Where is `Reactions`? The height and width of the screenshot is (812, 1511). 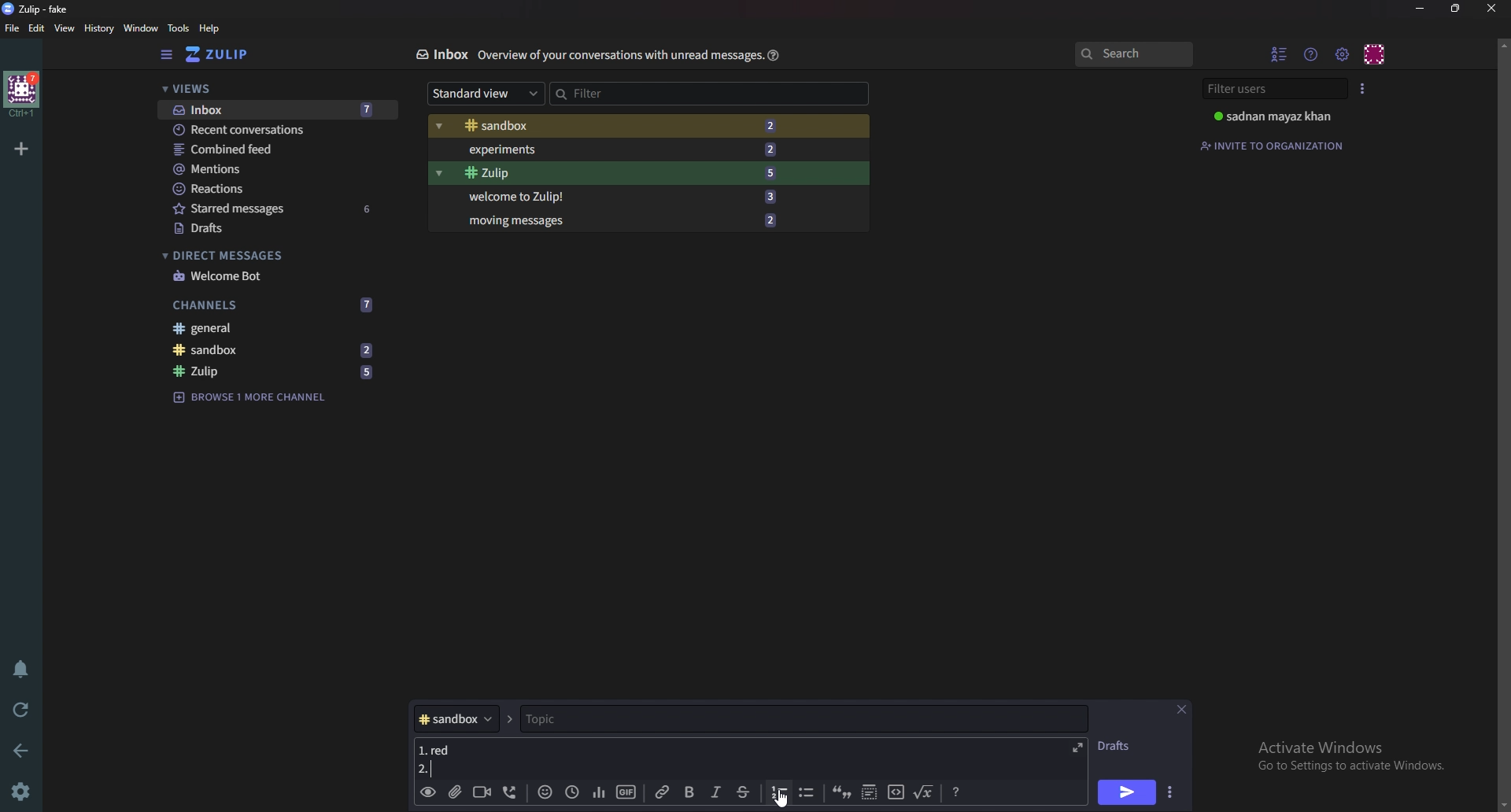
Reactions is located at coordinates (273, 187).